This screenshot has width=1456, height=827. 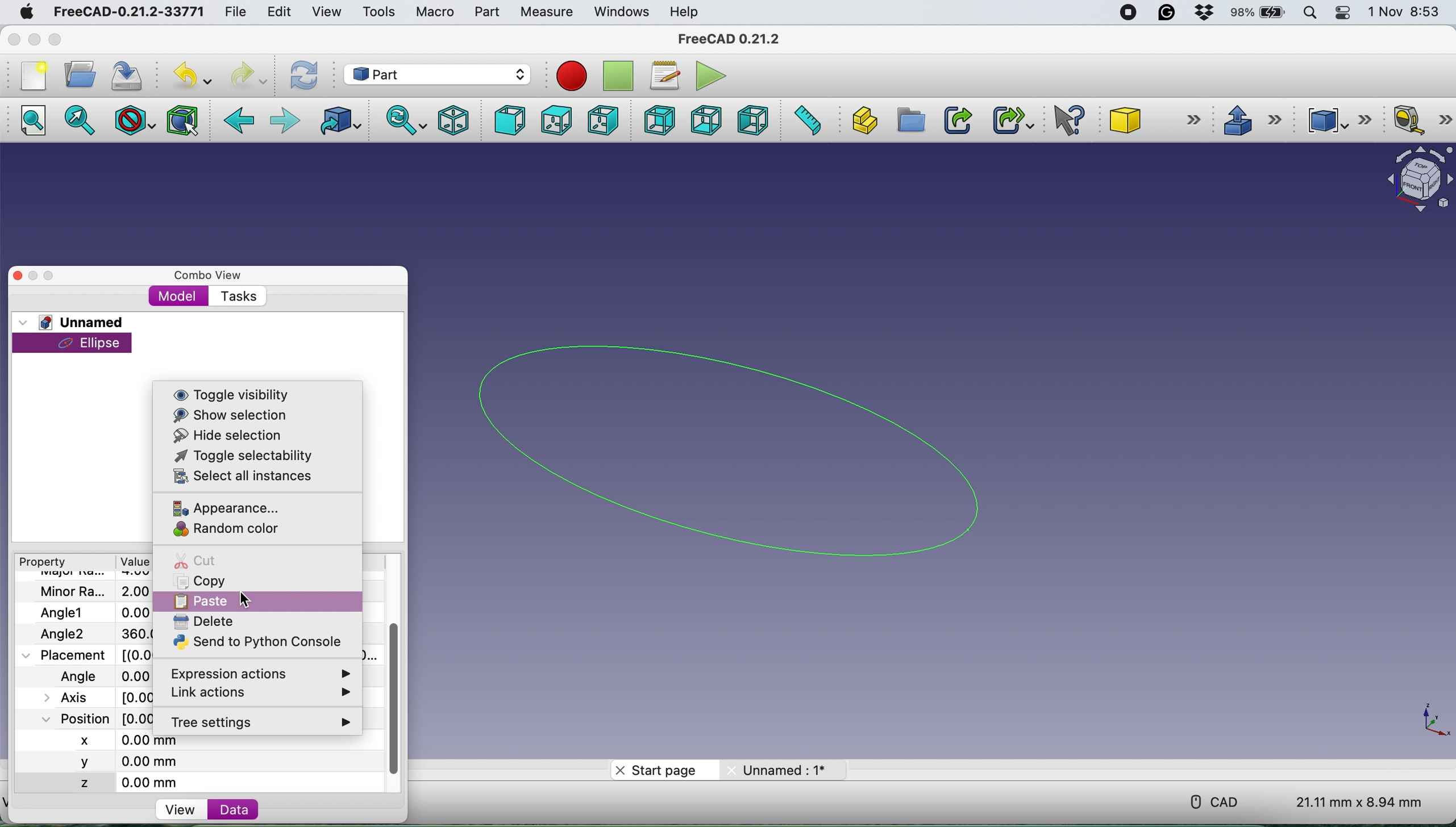 What do you see at coordinates (621, 75) in the screenshot?
I see `stop recording macros` at bounding box center [621, 75].